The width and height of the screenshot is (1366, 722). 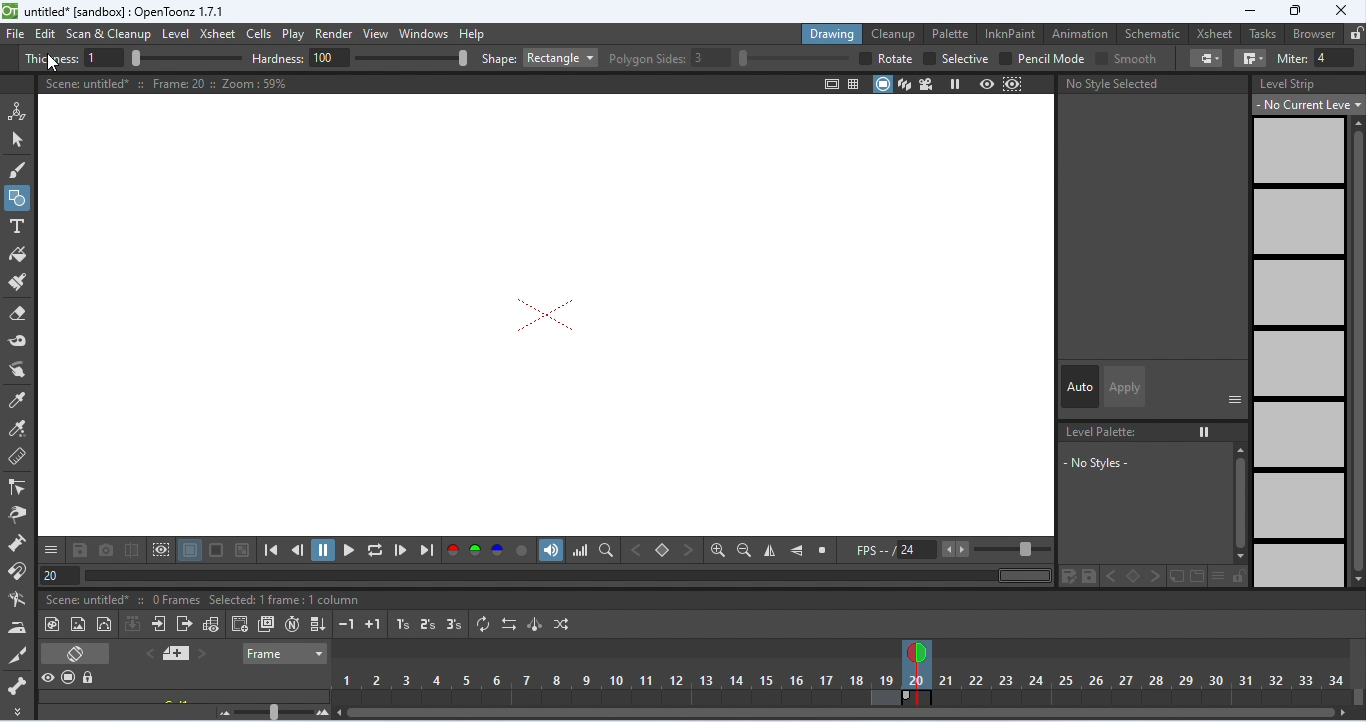 I want to click on current frame, so click(x=918, y=649).